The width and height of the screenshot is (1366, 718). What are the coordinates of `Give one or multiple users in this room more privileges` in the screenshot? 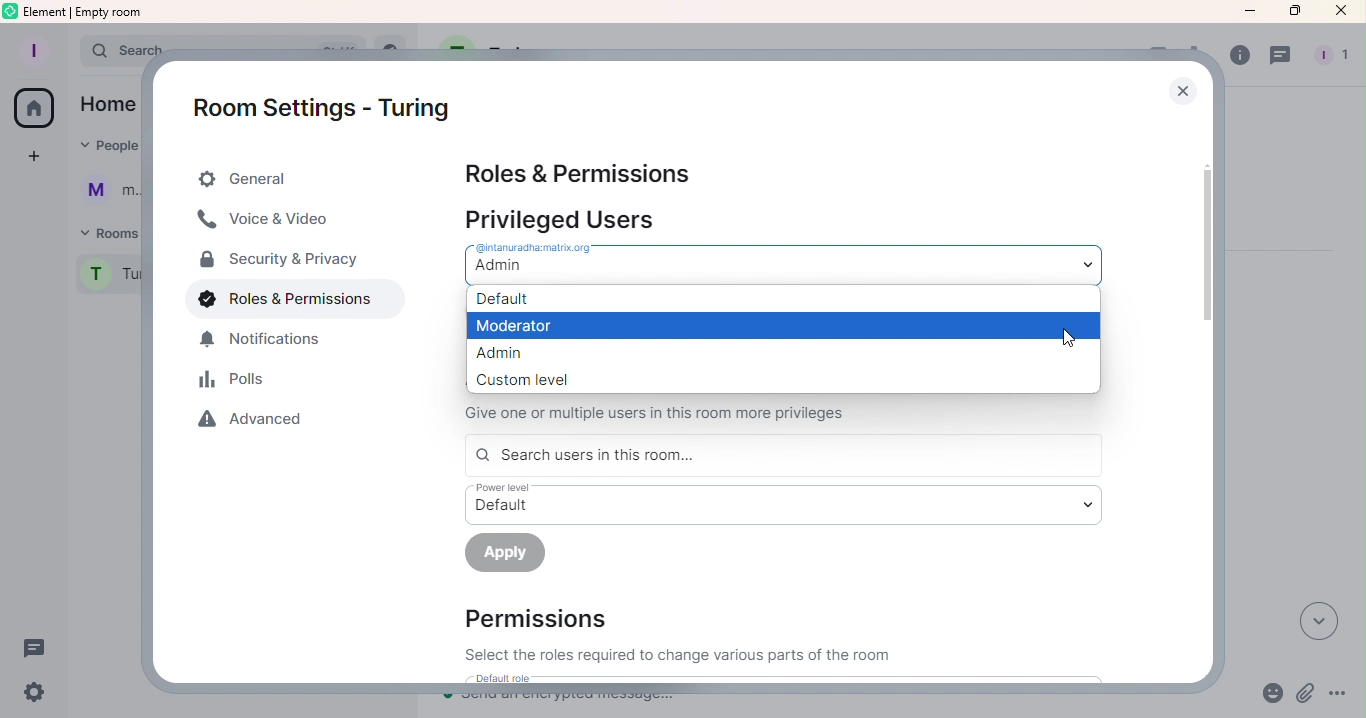 It's located at (710, 412).